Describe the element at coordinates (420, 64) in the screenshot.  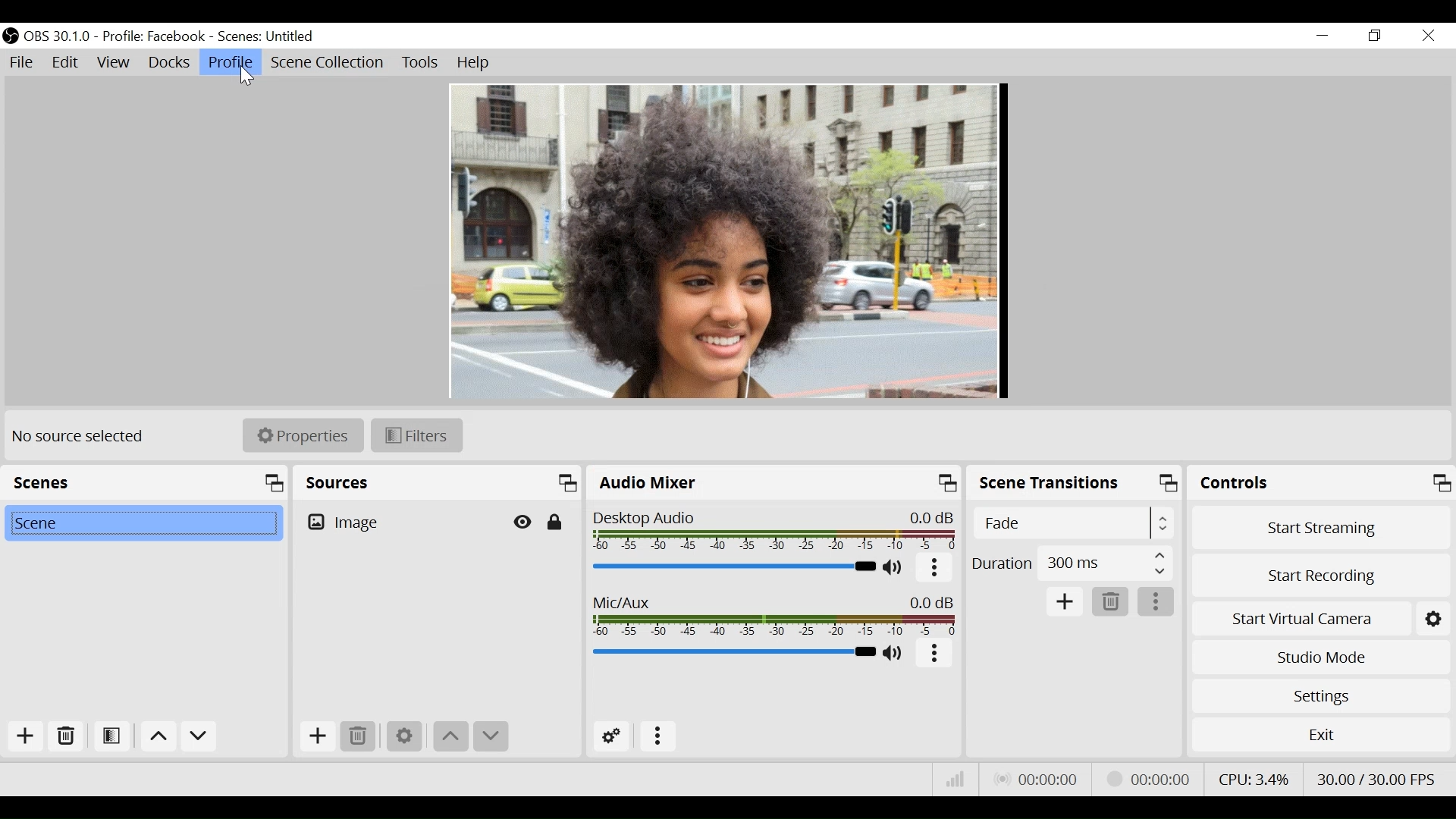
I see `Tools` at that location.